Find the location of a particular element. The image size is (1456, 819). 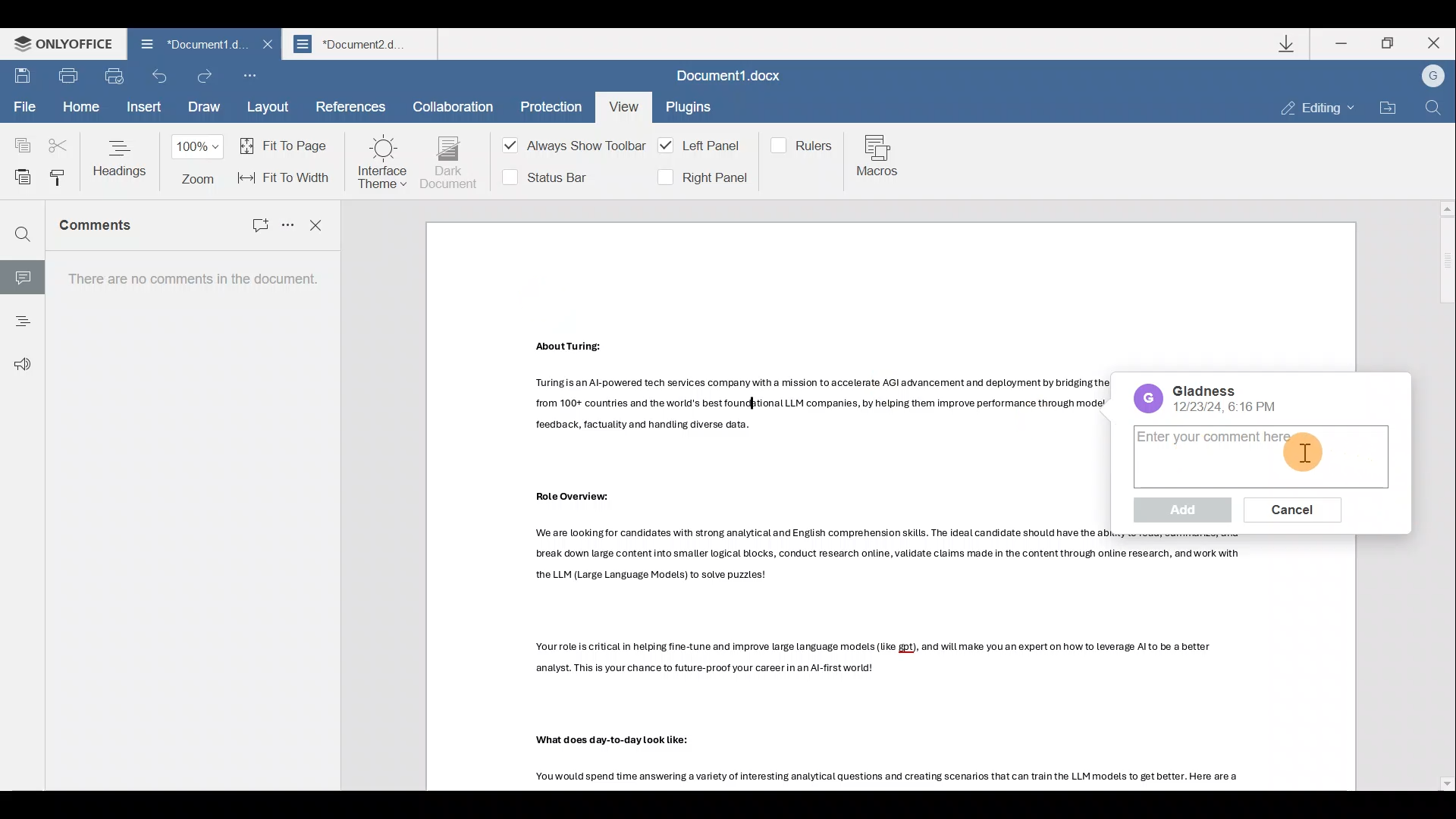

Copy style is located at coordinates (58, 177).